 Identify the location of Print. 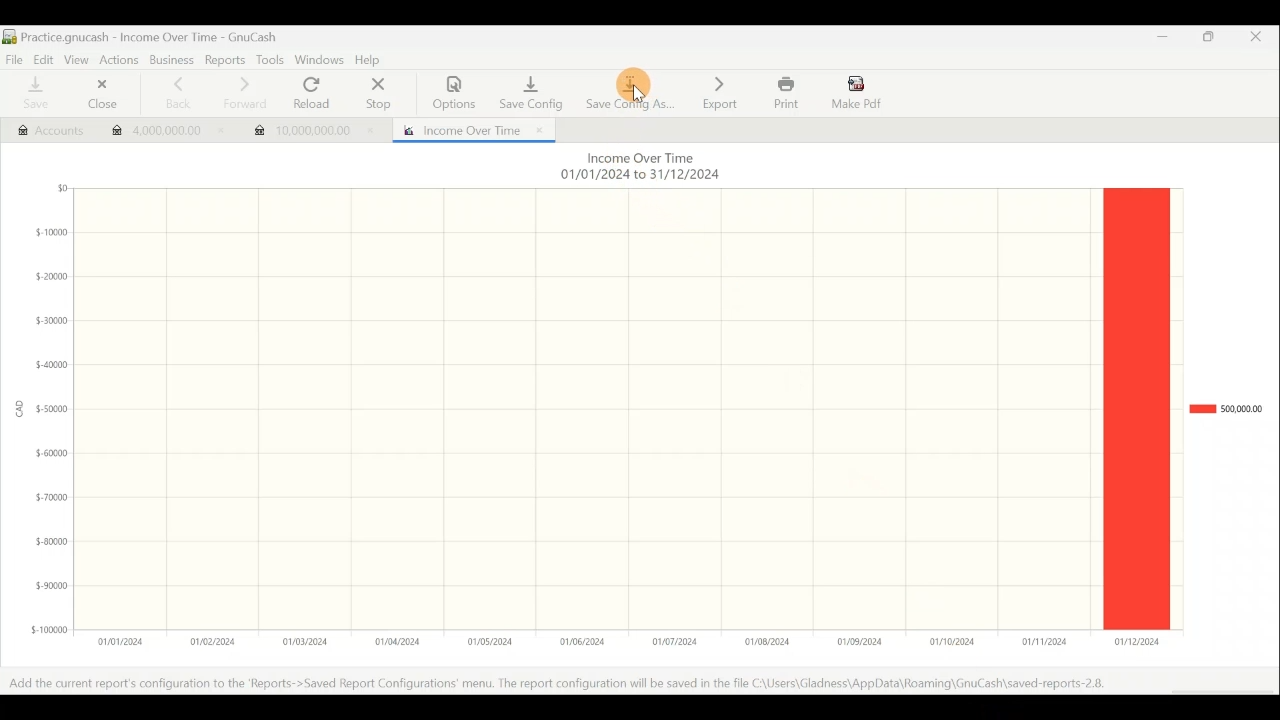
(784, 93).